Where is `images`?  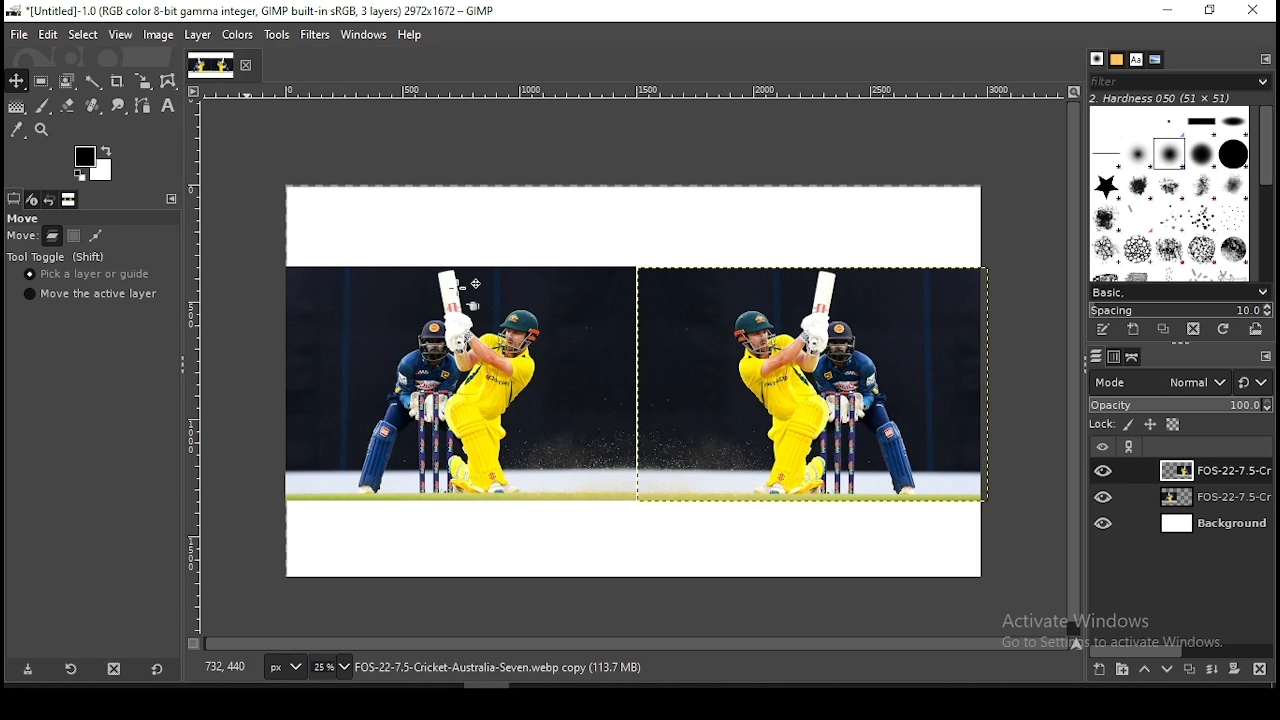 images is located at coordinates (69, 200).